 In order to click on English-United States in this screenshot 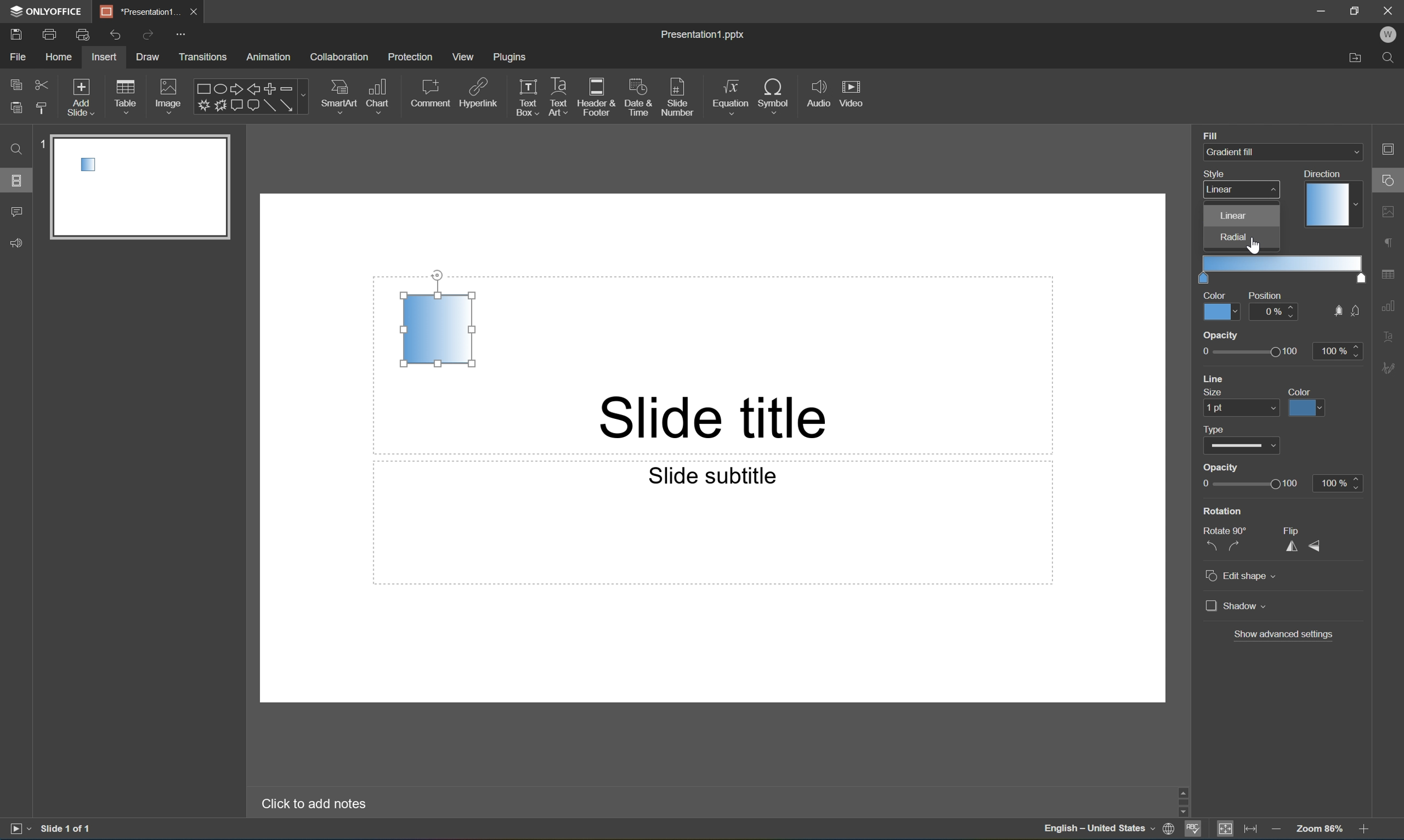, I will do `click(1097, 830)`.